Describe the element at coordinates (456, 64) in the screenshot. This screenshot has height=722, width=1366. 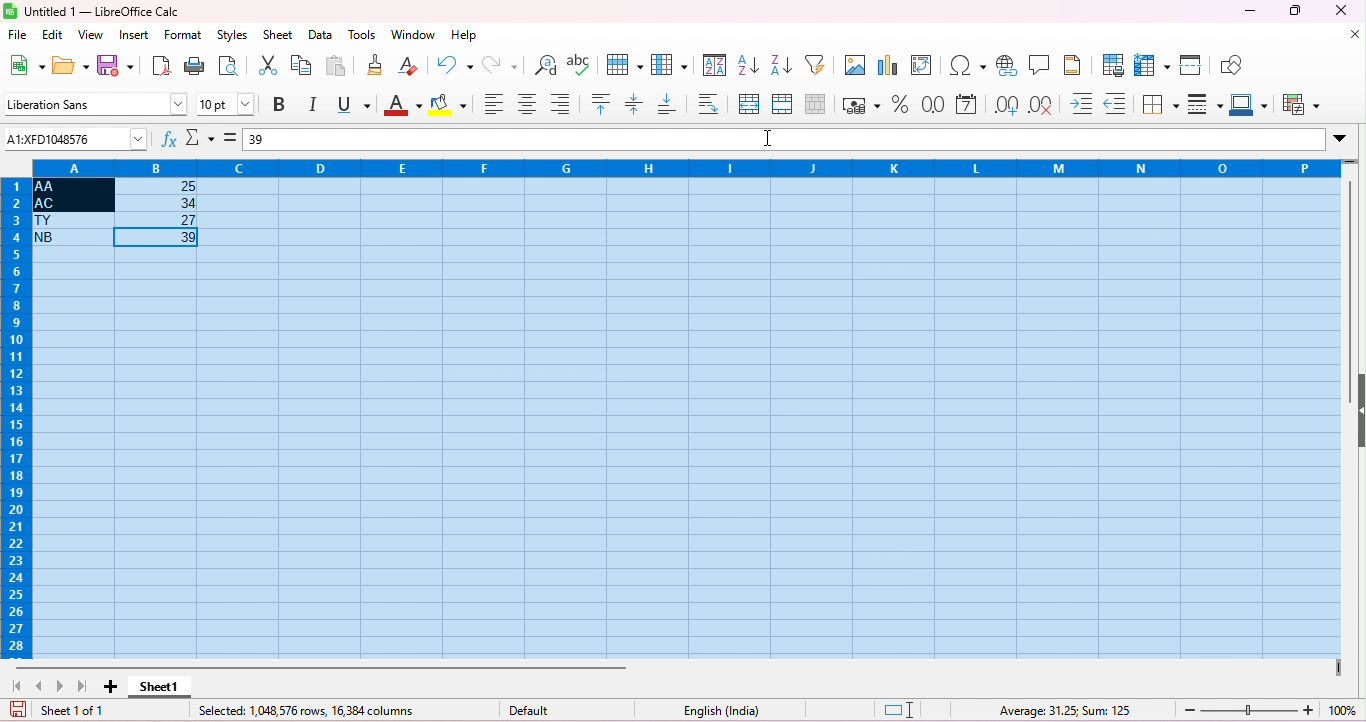
I see `undo` at that location.